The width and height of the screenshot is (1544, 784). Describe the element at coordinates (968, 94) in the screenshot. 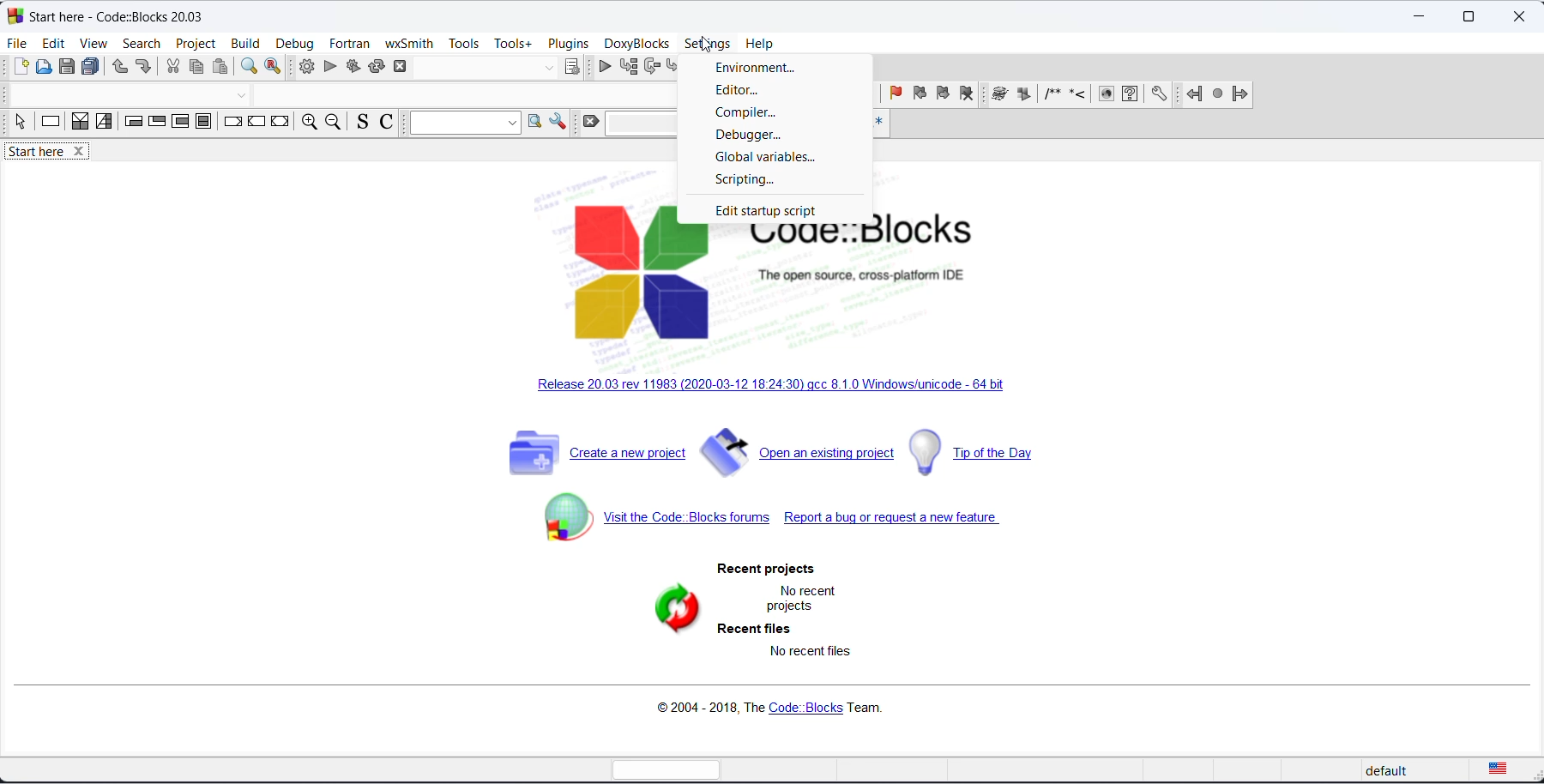

I see `remove bookmark` at that location.